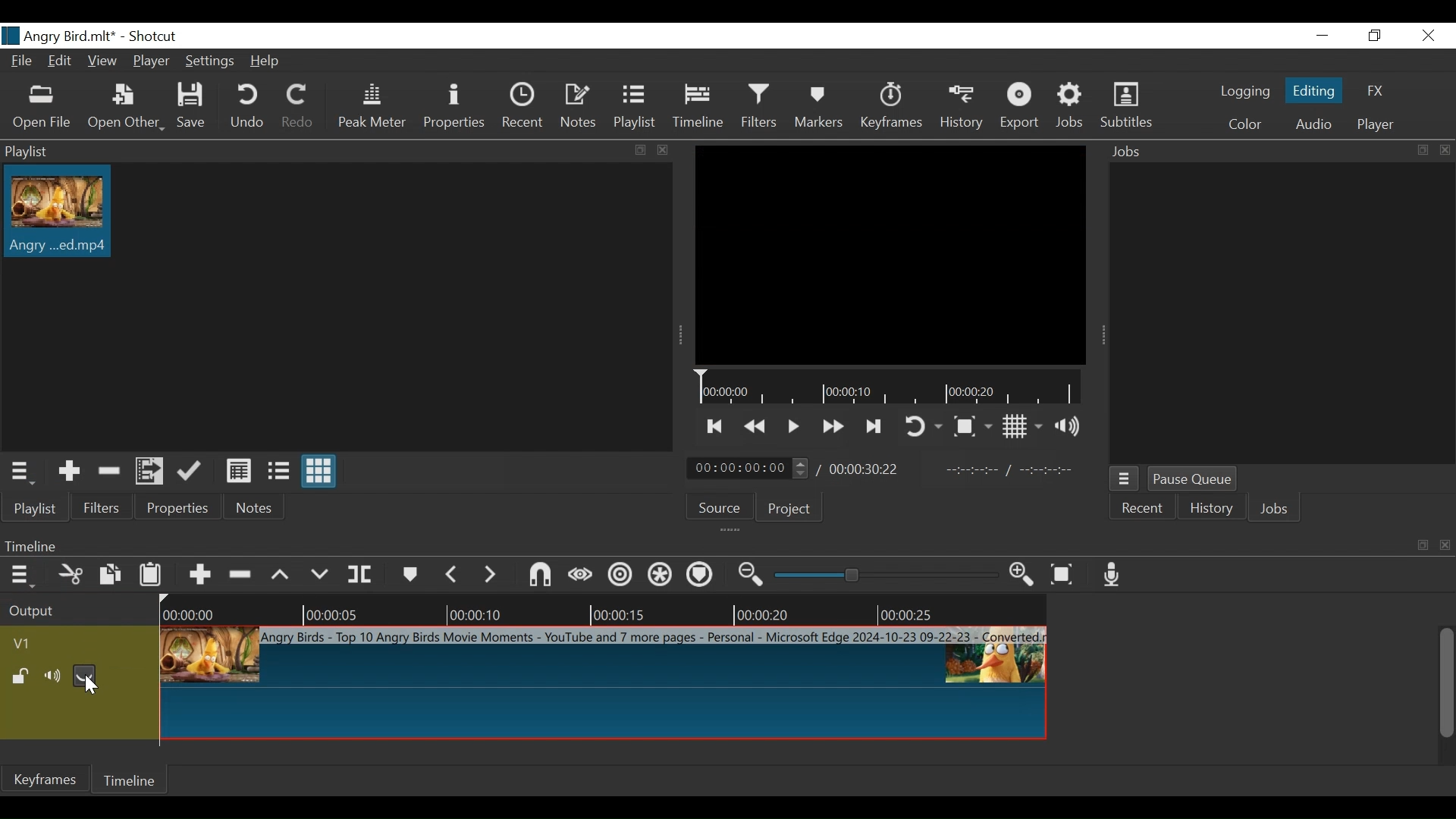  Describe the element at coordinates (158, 36) in the screenshot. I see `Shotcut` at that location.